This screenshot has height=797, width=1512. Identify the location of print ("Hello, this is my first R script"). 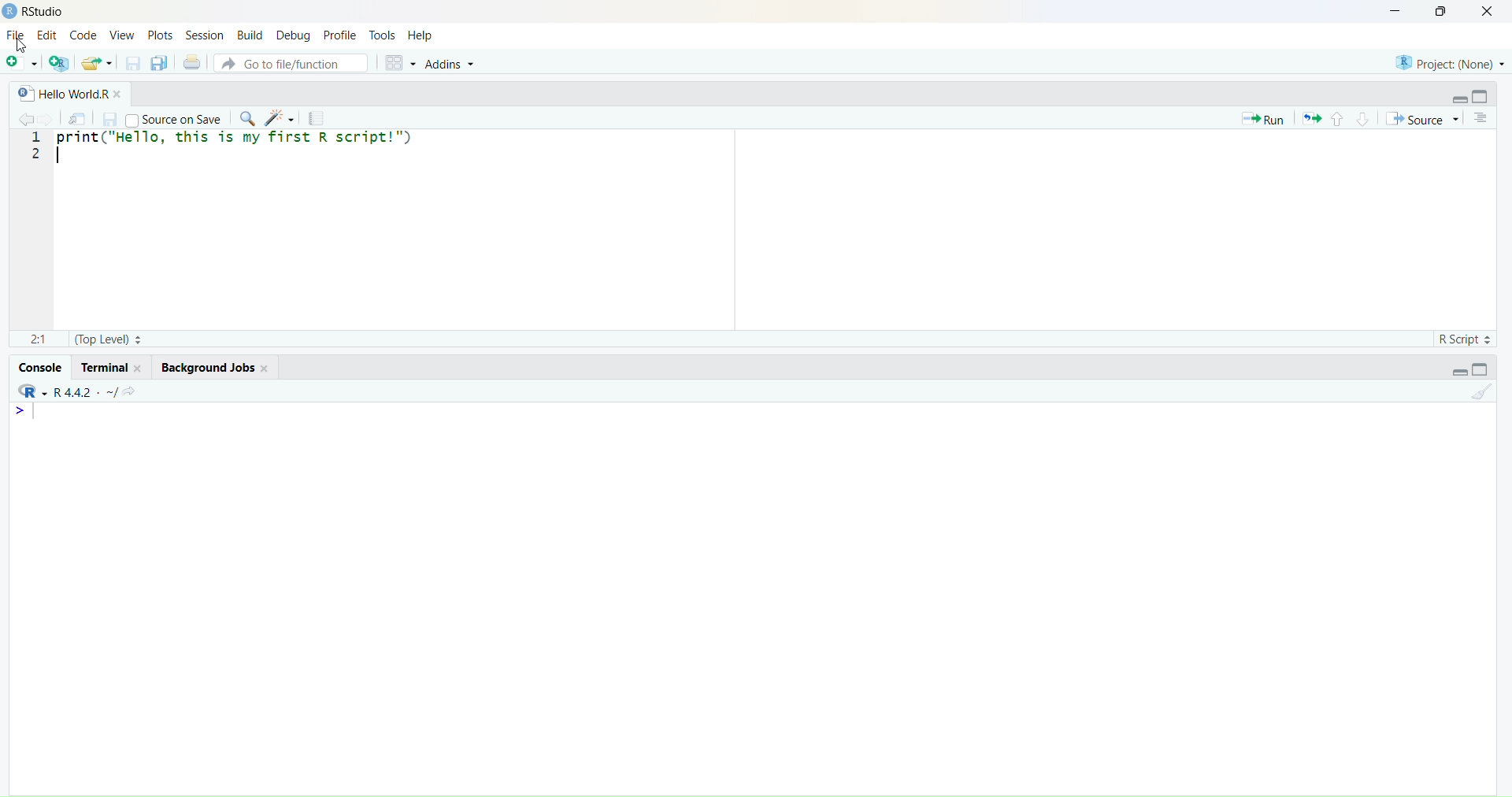
(235, 141).